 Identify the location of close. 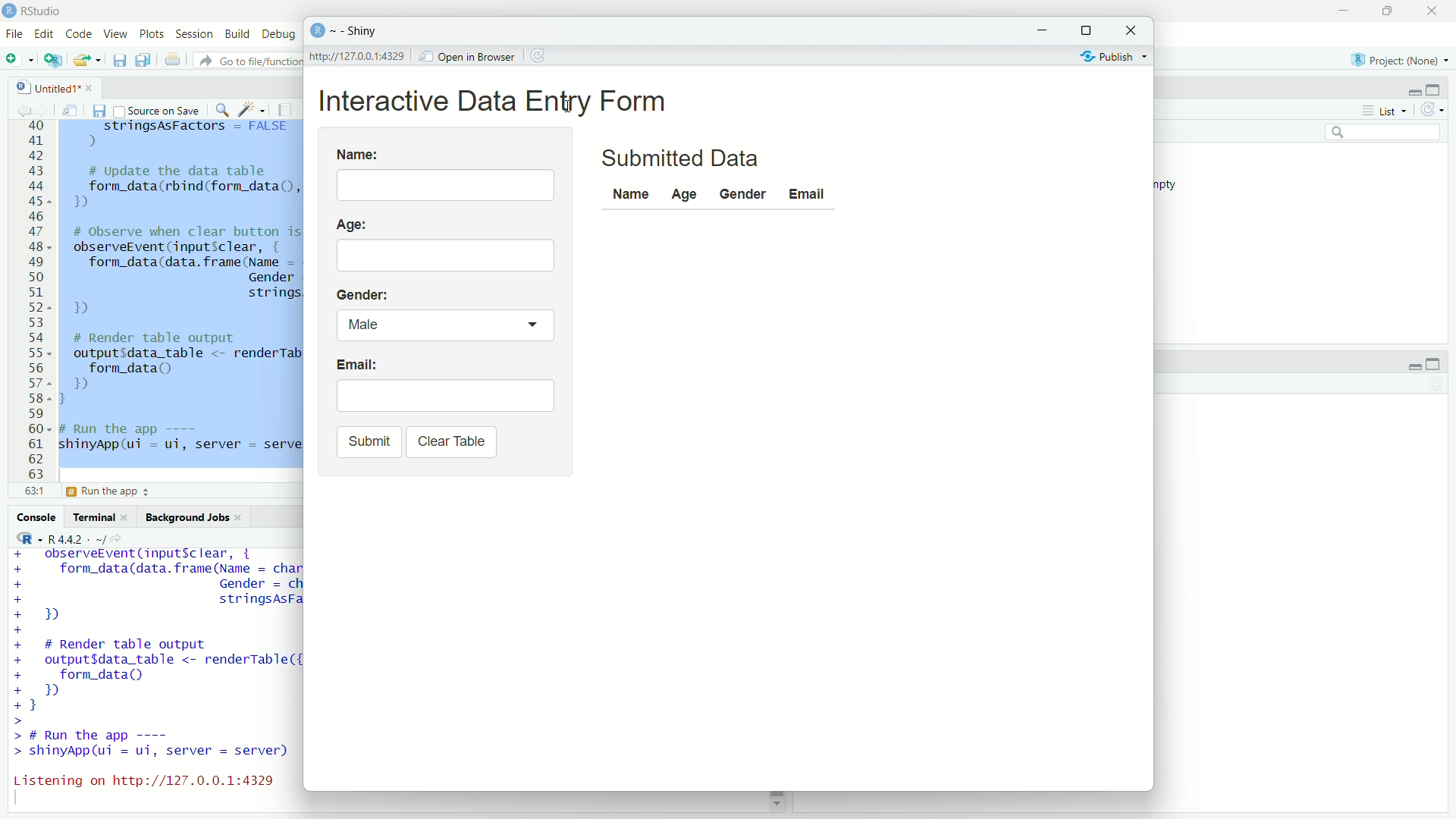
(129, 517).